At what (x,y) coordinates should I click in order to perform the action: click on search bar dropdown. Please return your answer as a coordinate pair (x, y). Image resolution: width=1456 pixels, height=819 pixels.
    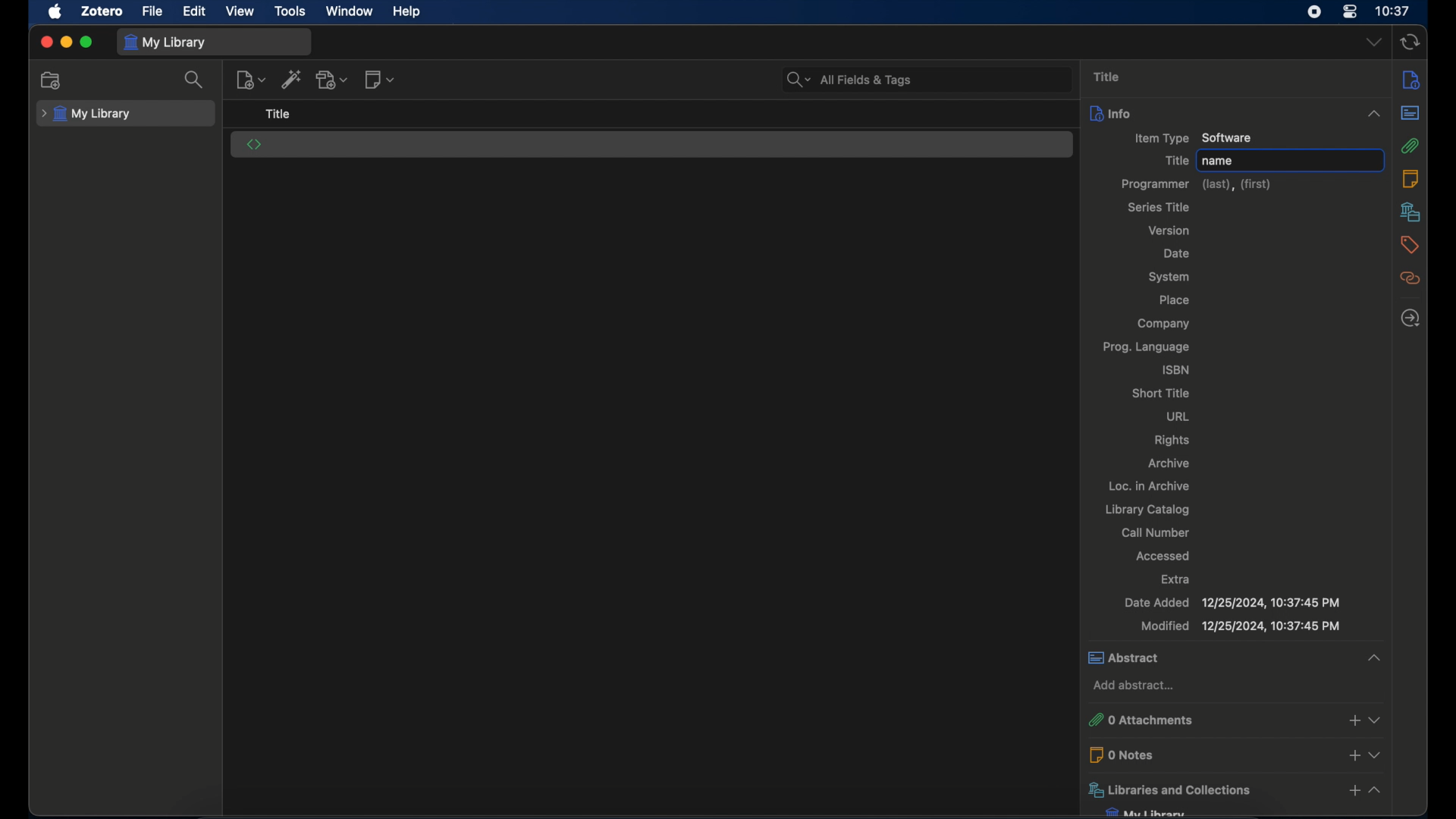
    Looking at the image, I should click on (798, 77).